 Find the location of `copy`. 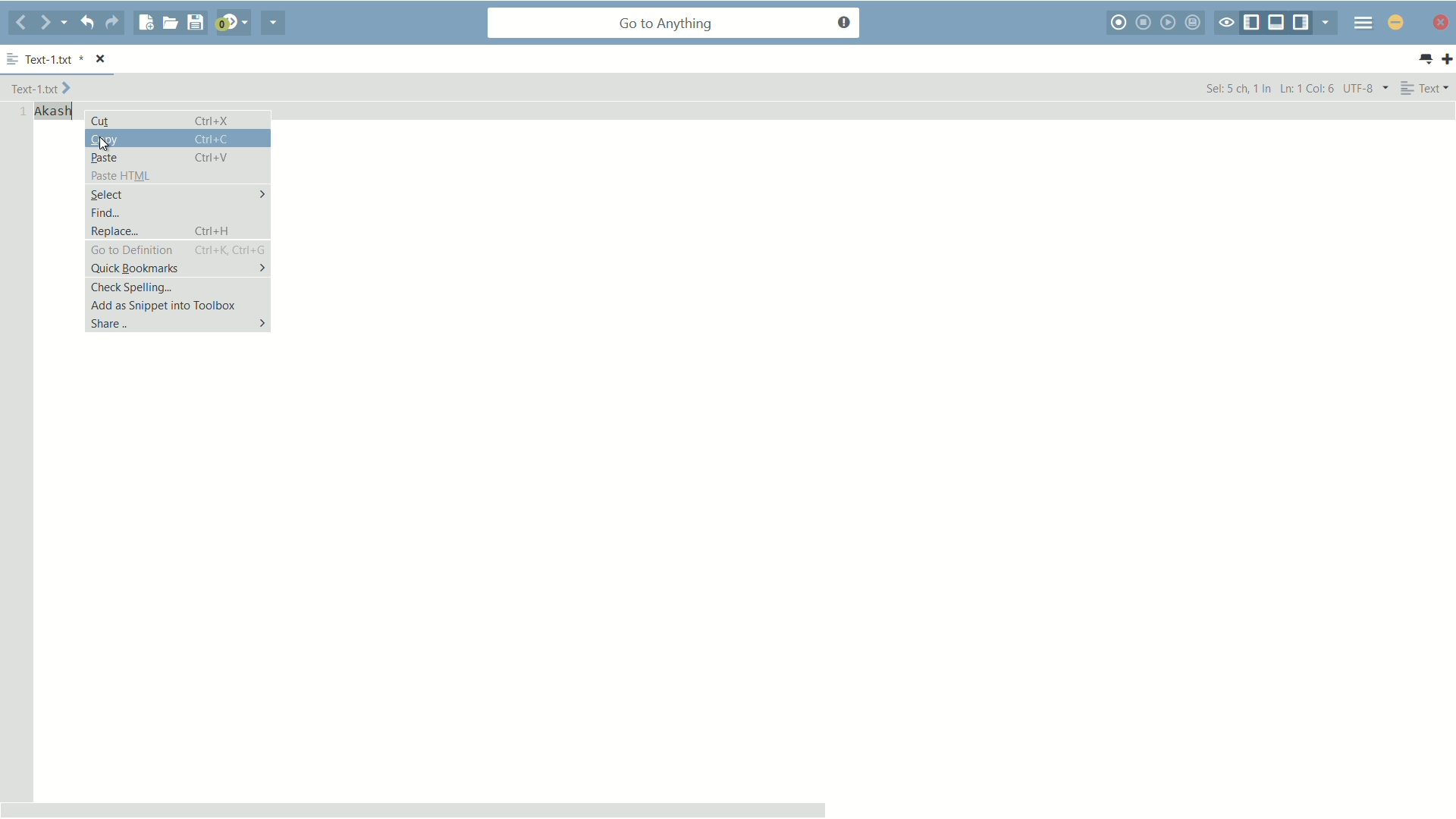

copy is located at coordinates (177, 138).